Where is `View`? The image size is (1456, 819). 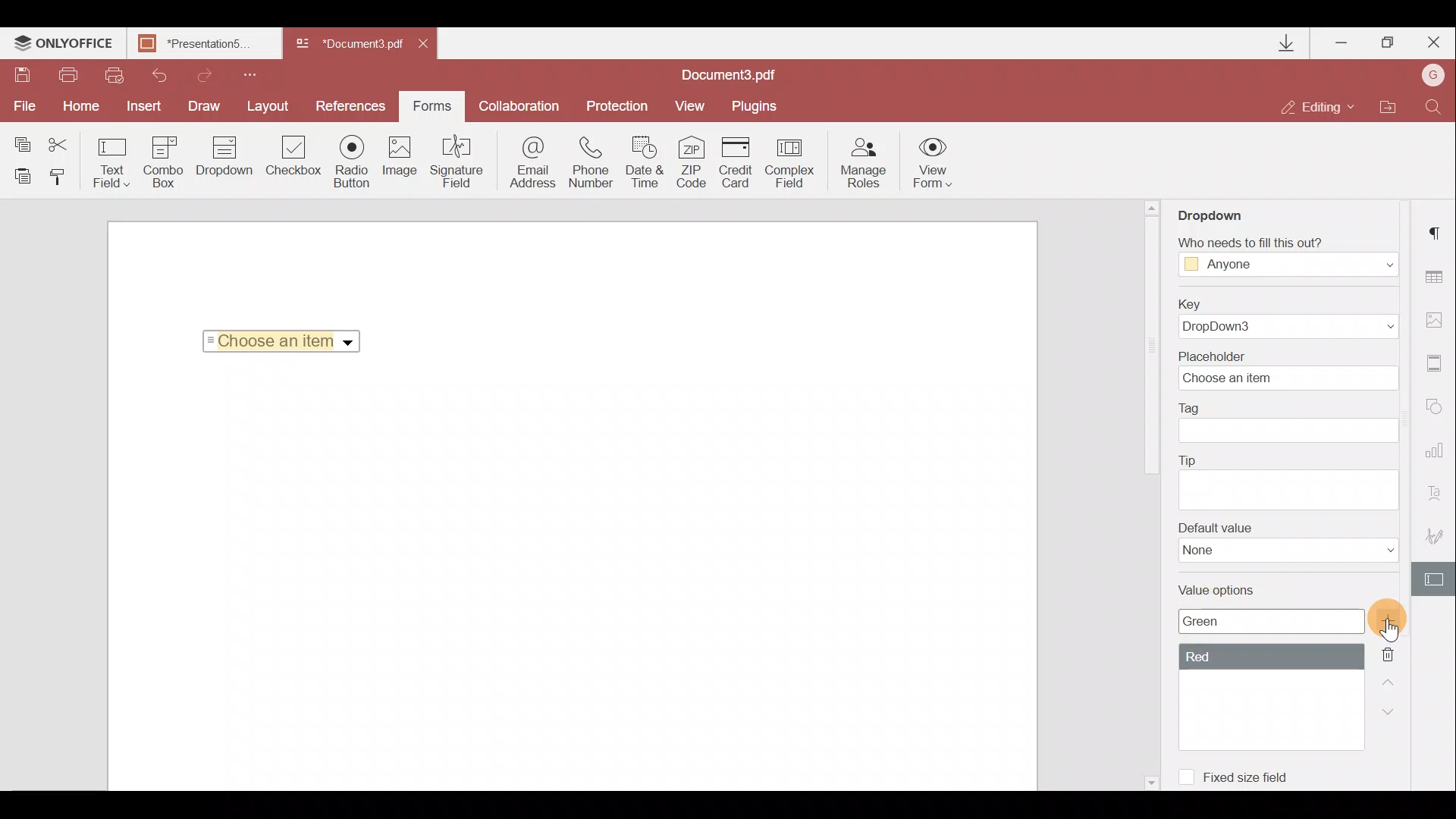
View is located at coordinates (695, 106).